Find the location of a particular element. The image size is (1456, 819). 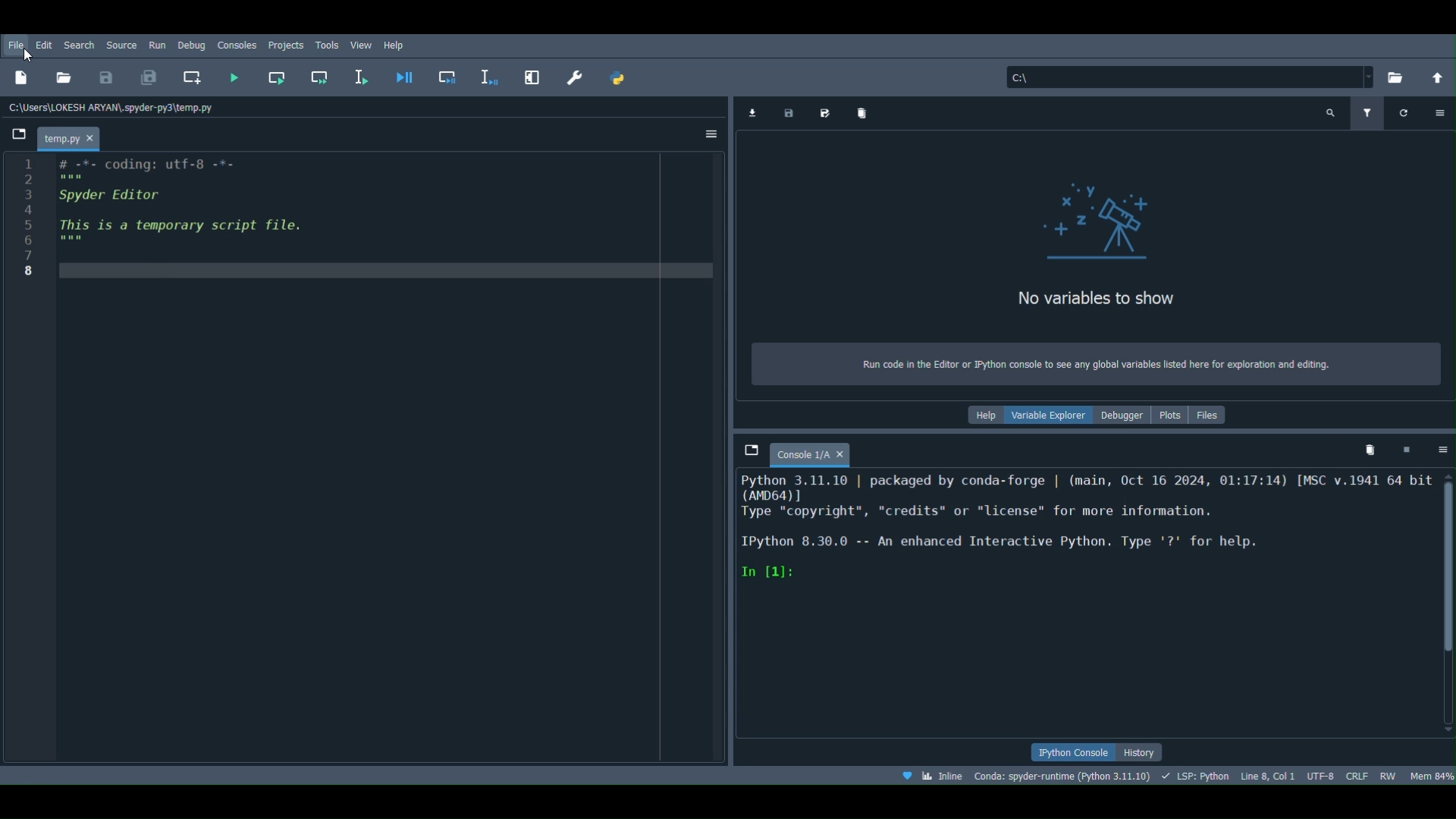

Remove all variables is located at coordinates (865, 114).